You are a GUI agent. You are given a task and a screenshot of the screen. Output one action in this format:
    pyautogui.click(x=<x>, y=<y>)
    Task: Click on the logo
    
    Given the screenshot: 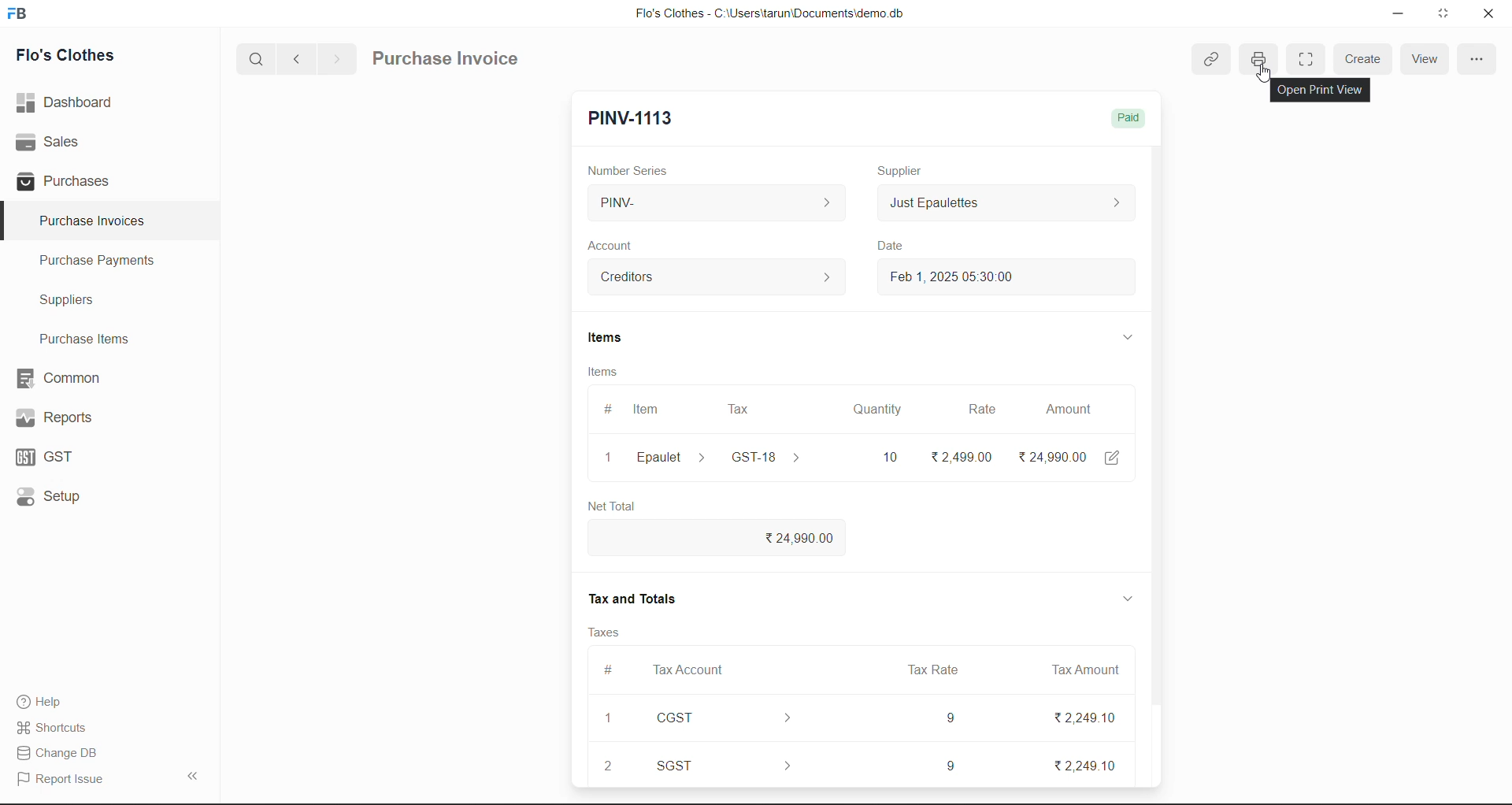 What is the action you would take?
    pyautogui.click(x=20, y=15)
    